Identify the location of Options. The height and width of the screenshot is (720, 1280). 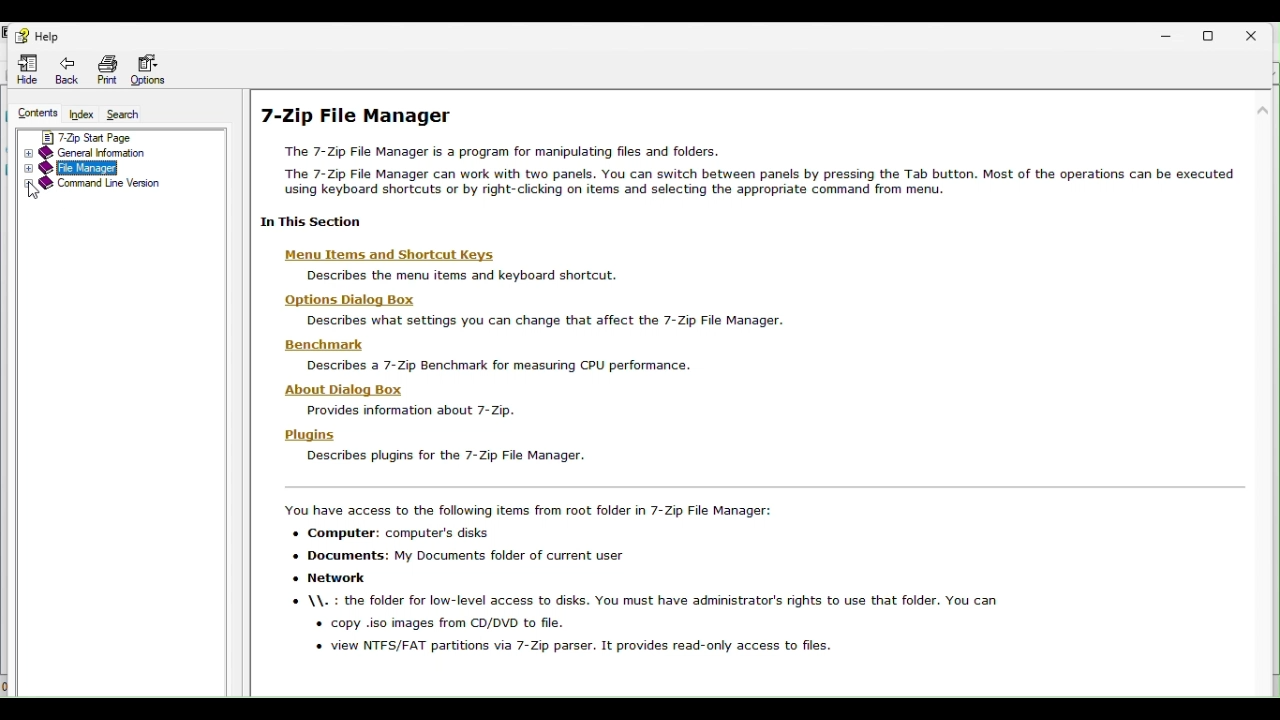
(151, 70).